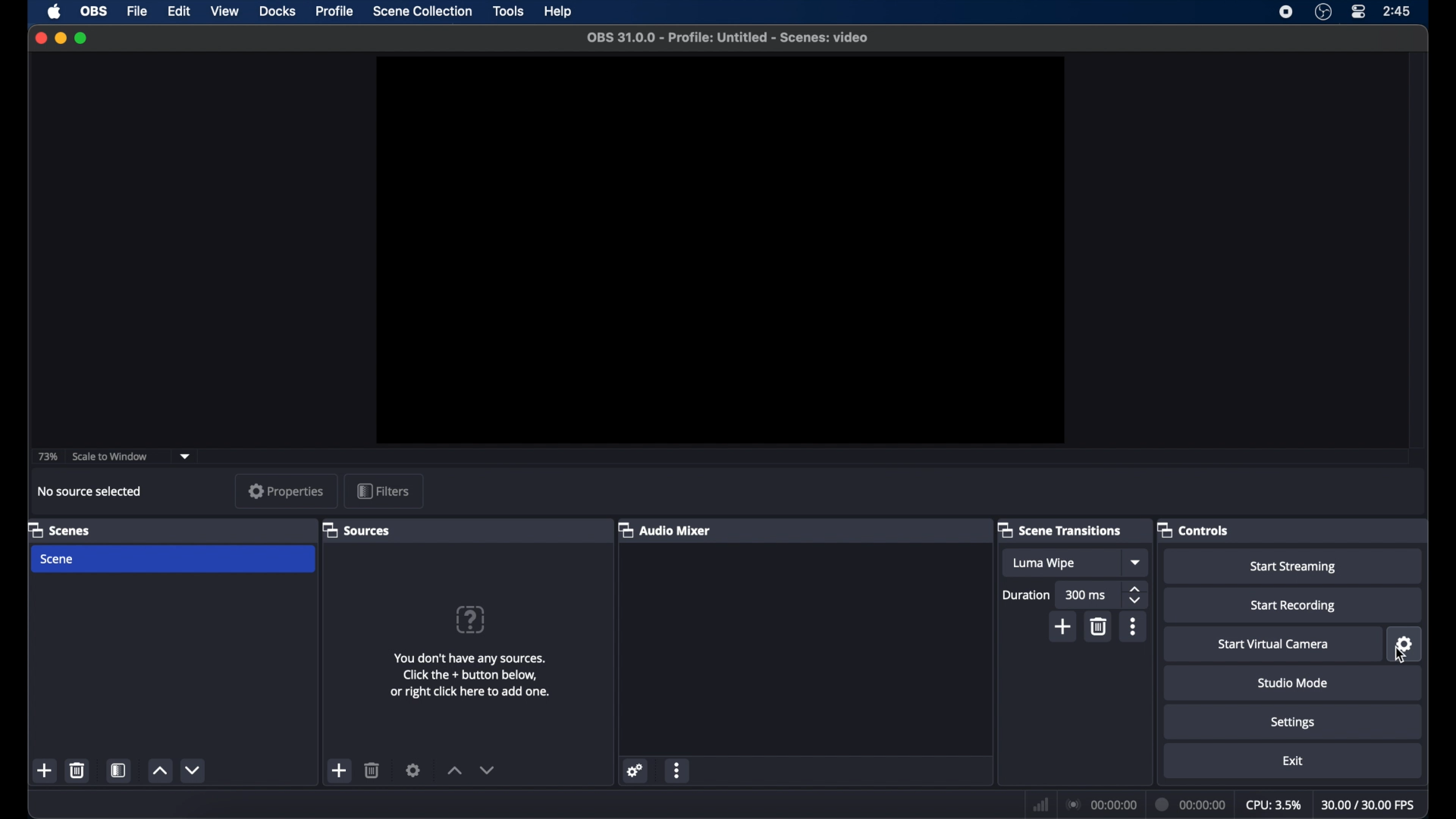 This screenshot has width=1456, height=819. Describe the element at coordinates (90, 491) in the screenshot. I see `no source selected` at that location.